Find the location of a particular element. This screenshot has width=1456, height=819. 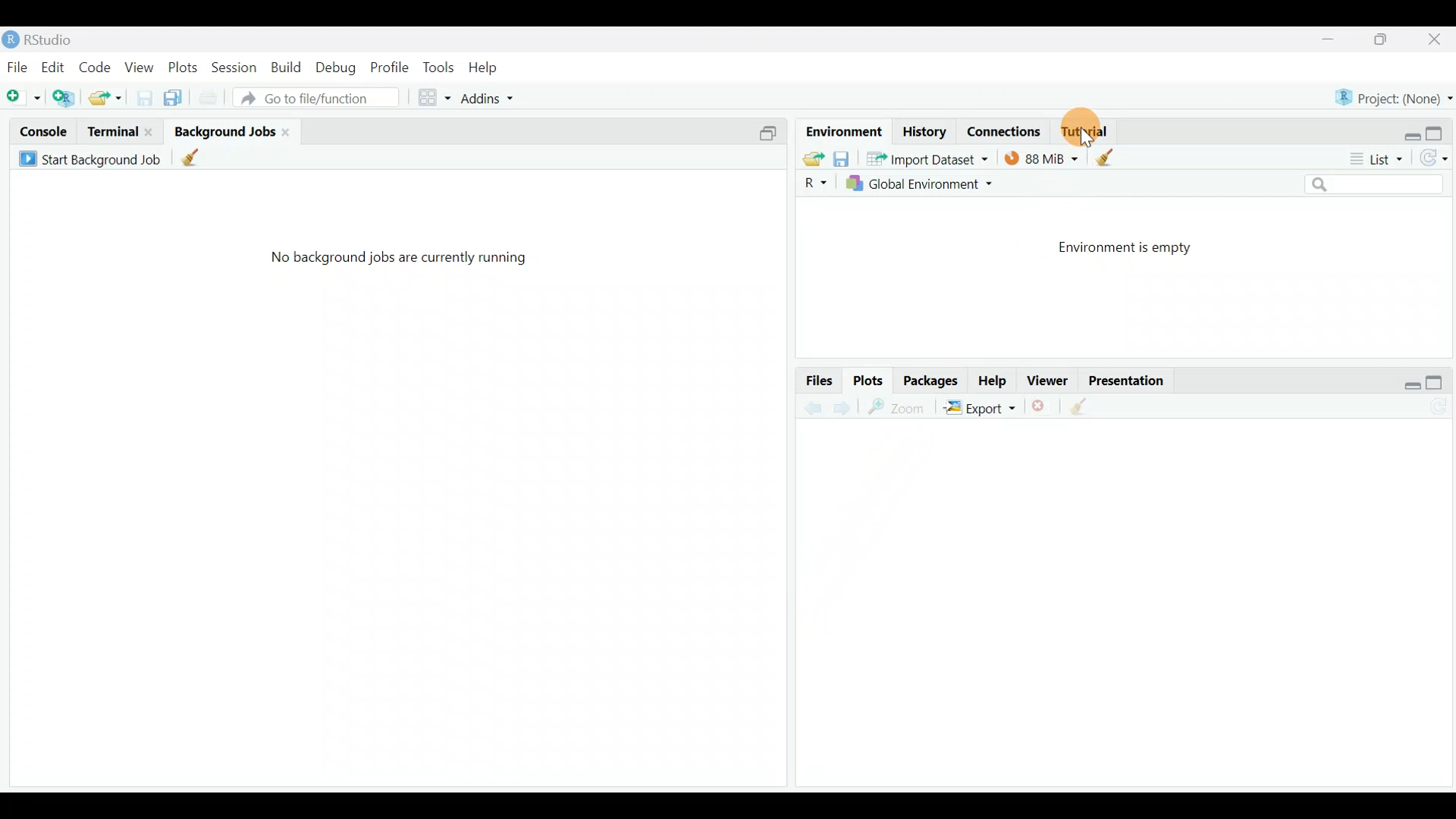

Code is located at coordinates (94, 69).